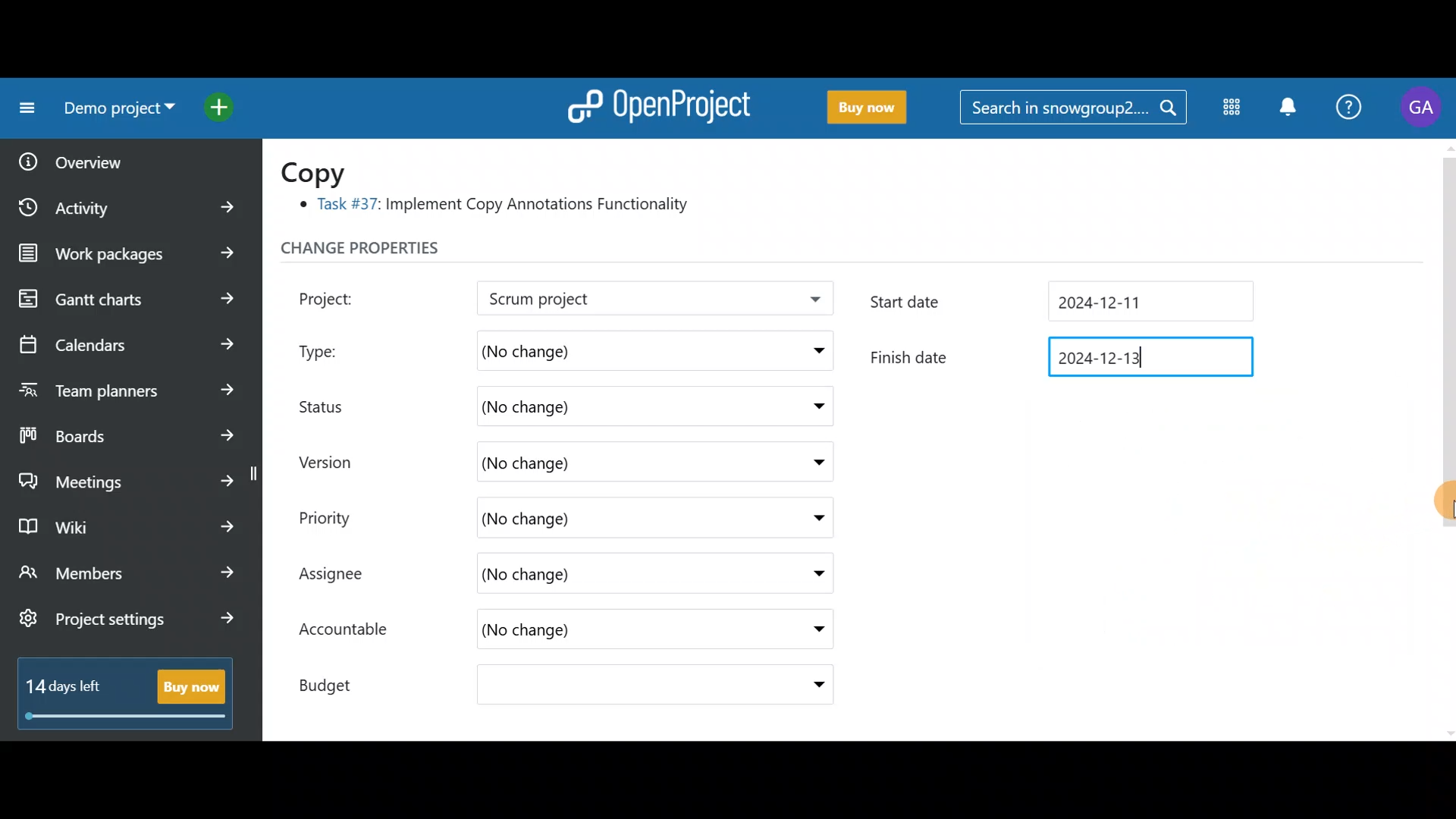  Describe the element at coordinates (806, 574) in the screenshot. I see `Assignee drop down` at that location.